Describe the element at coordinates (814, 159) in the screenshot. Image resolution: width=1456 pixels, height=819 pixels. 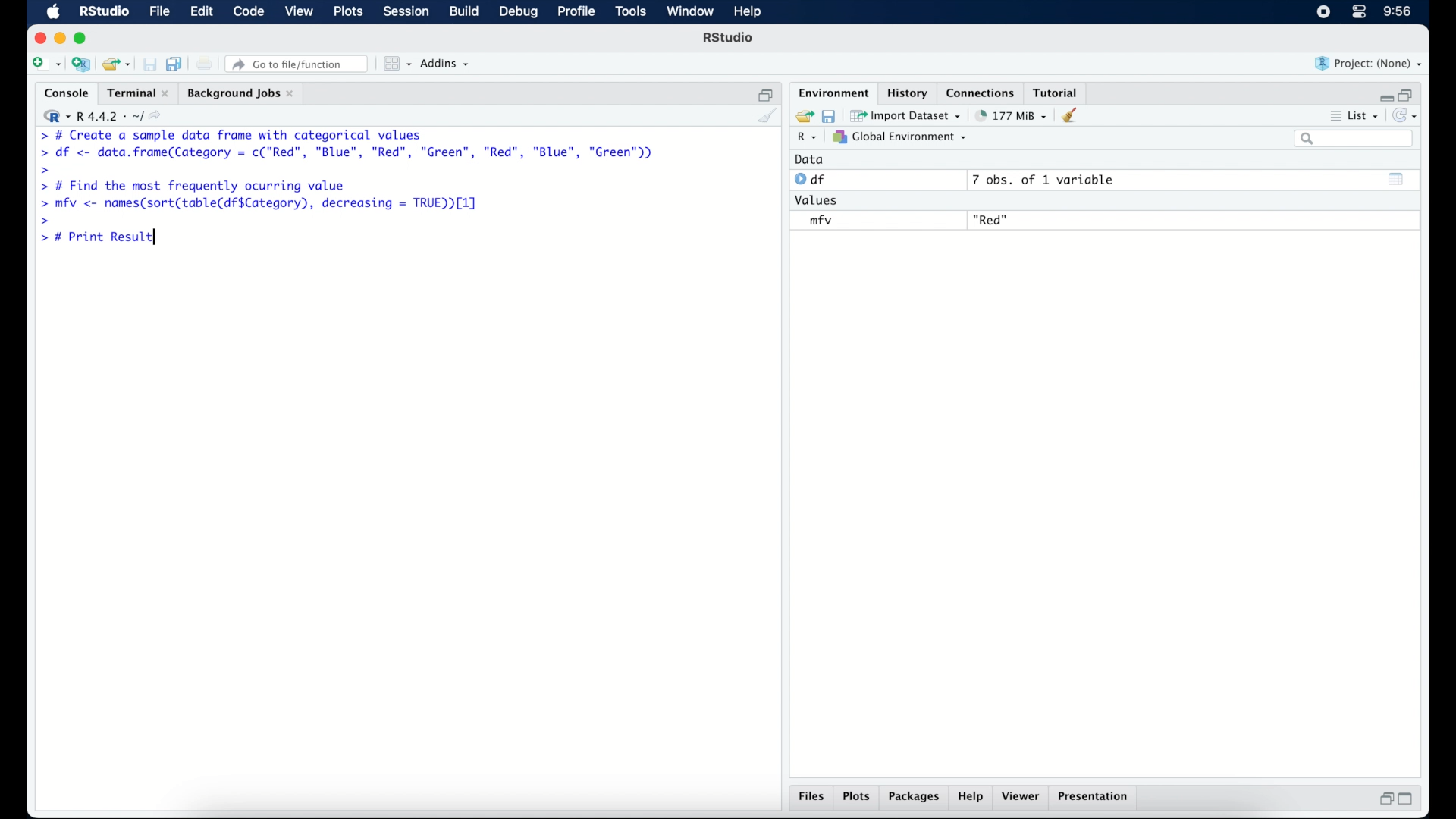
I see `data` at that location.